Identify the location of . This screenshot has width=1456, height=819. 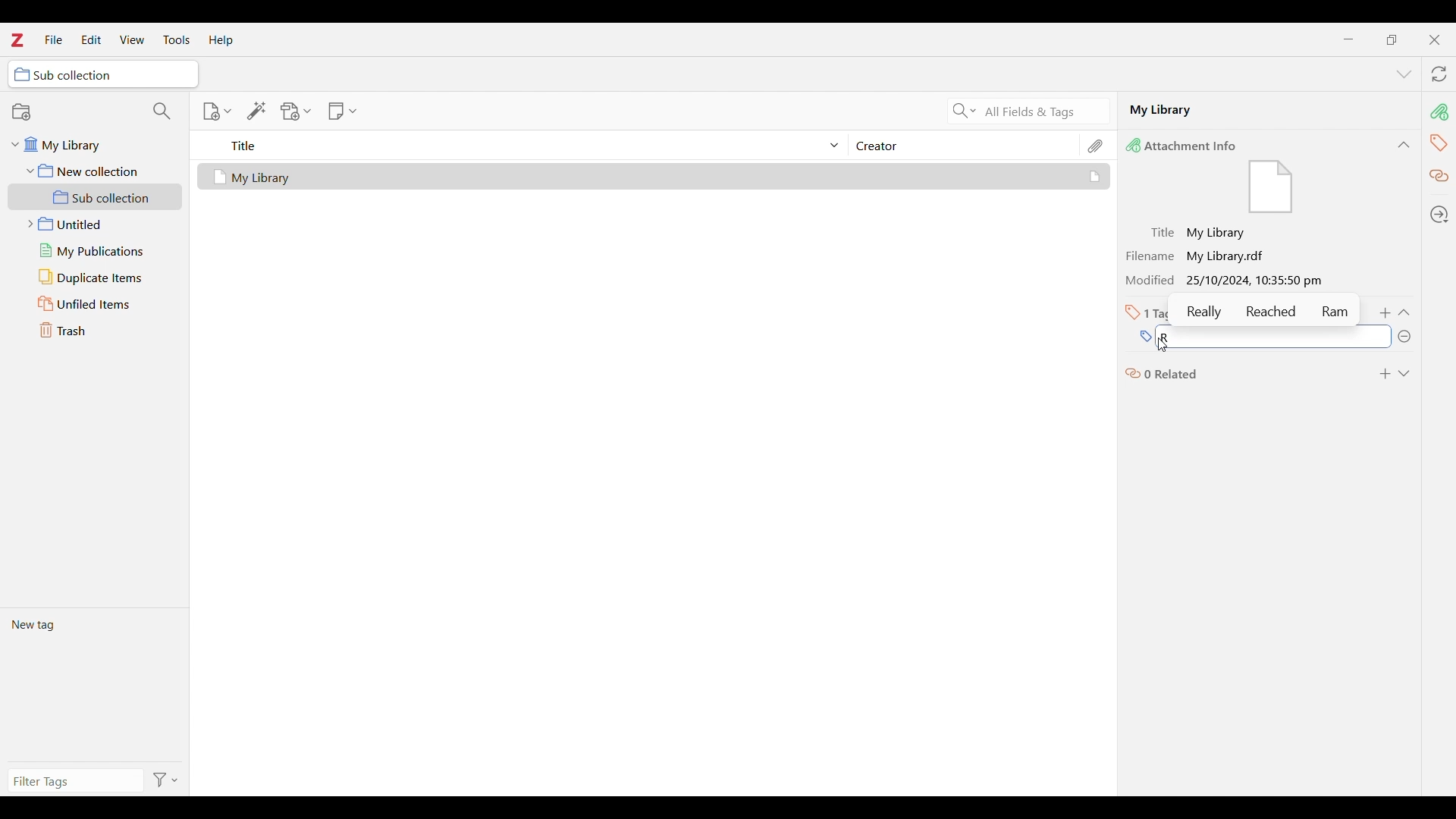
(1271, 188).